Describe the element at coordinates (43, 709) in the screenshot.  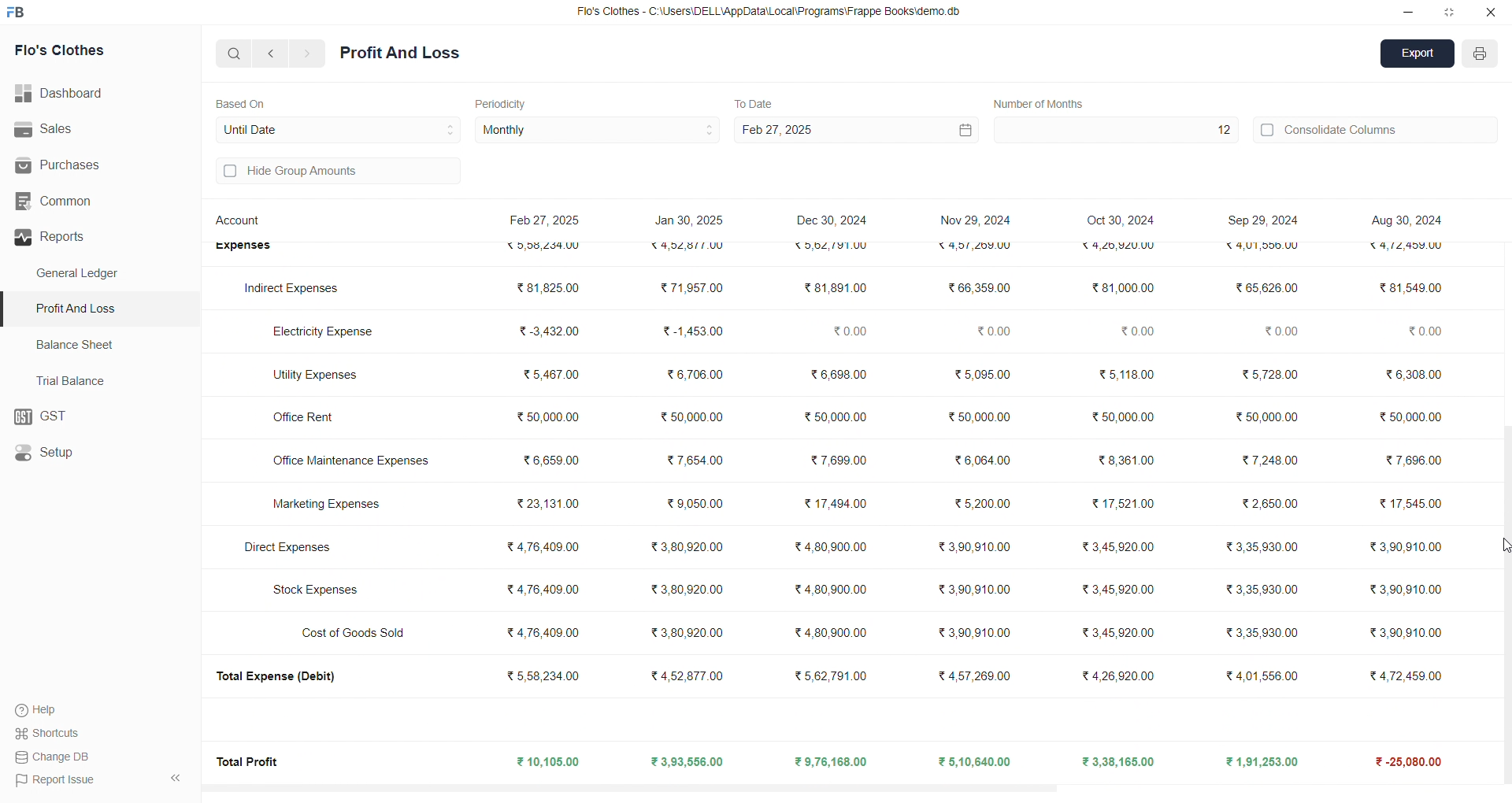
I see `Help` at that location.